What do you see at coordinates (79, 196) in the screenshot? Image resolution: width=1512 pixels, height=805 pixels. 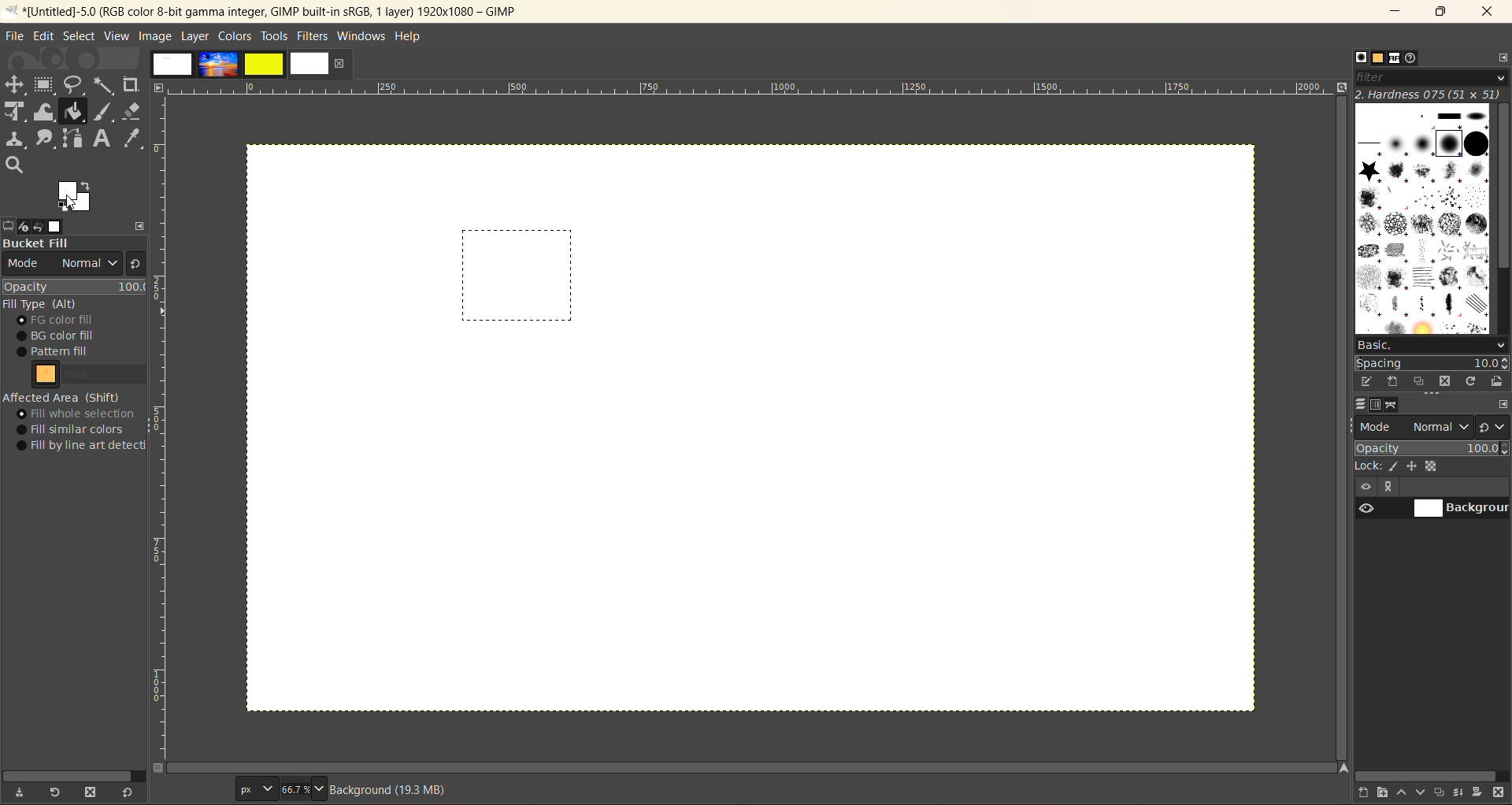 I see `active foreground/background color` at bounding box center [79, 196].